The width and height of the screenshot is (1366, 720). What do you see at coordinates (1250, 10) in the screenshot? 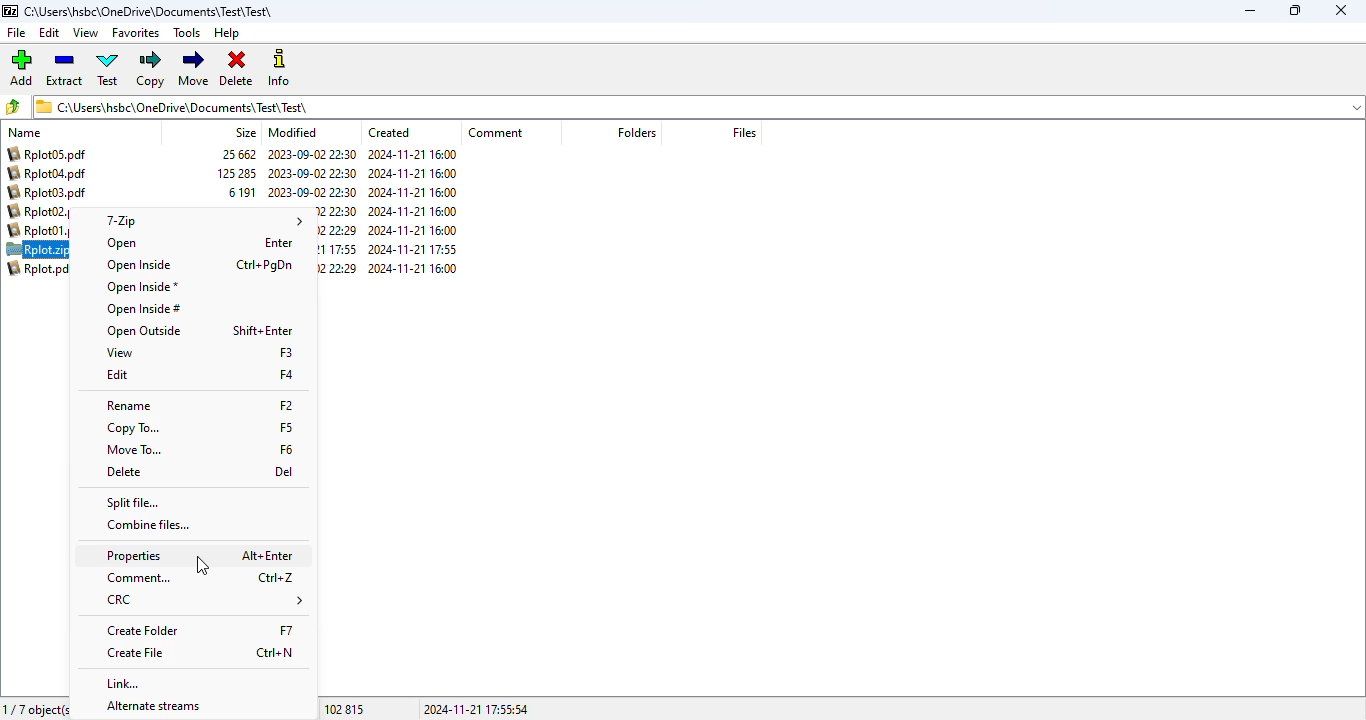
I see `minimize` at bounding box center [1250, 10].